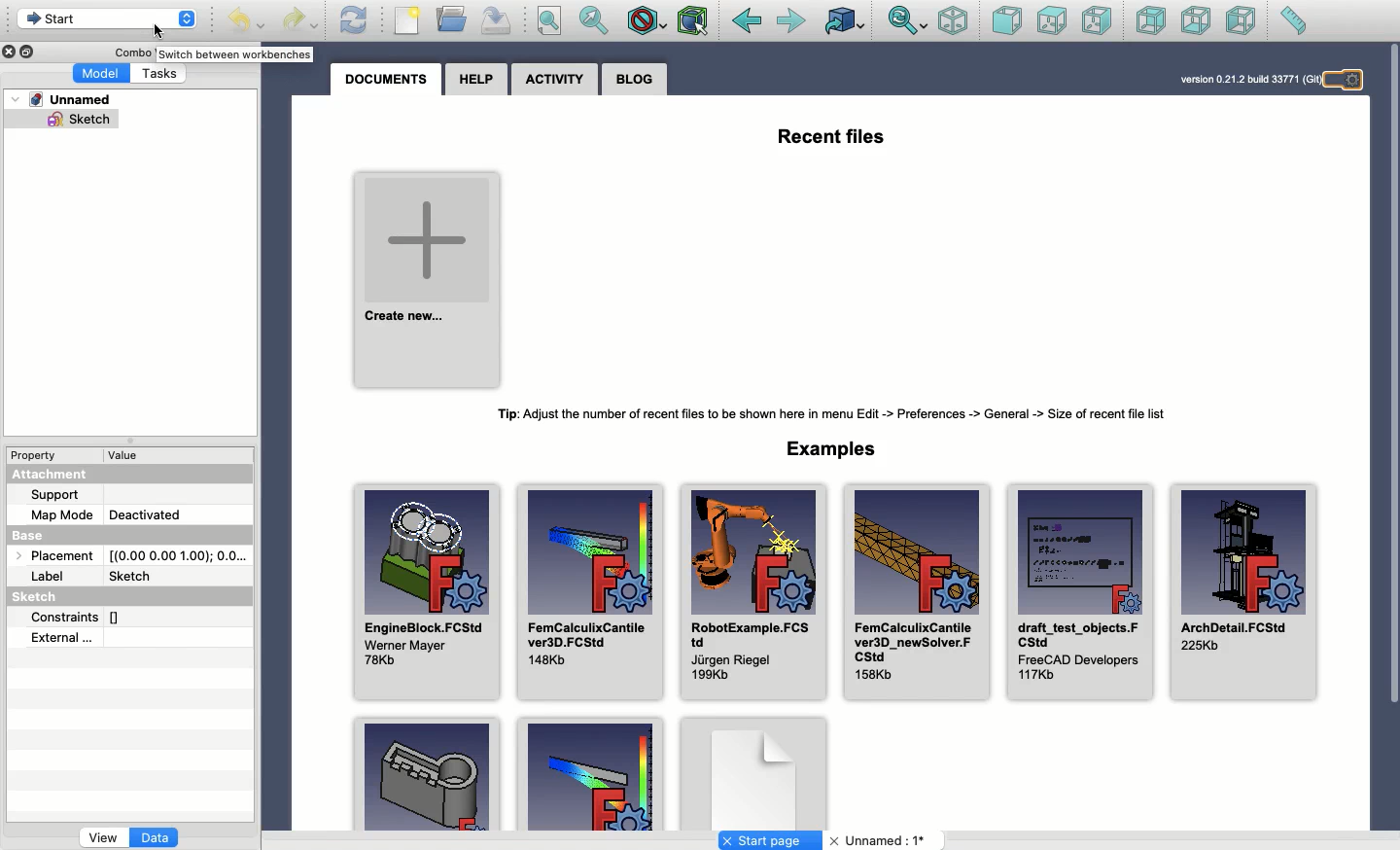 This screenshot has height=850, width=1400. What do you see at coordinates (646, 23) in the screenshot?
I see `Draw style` at bounding box center [646, 23].